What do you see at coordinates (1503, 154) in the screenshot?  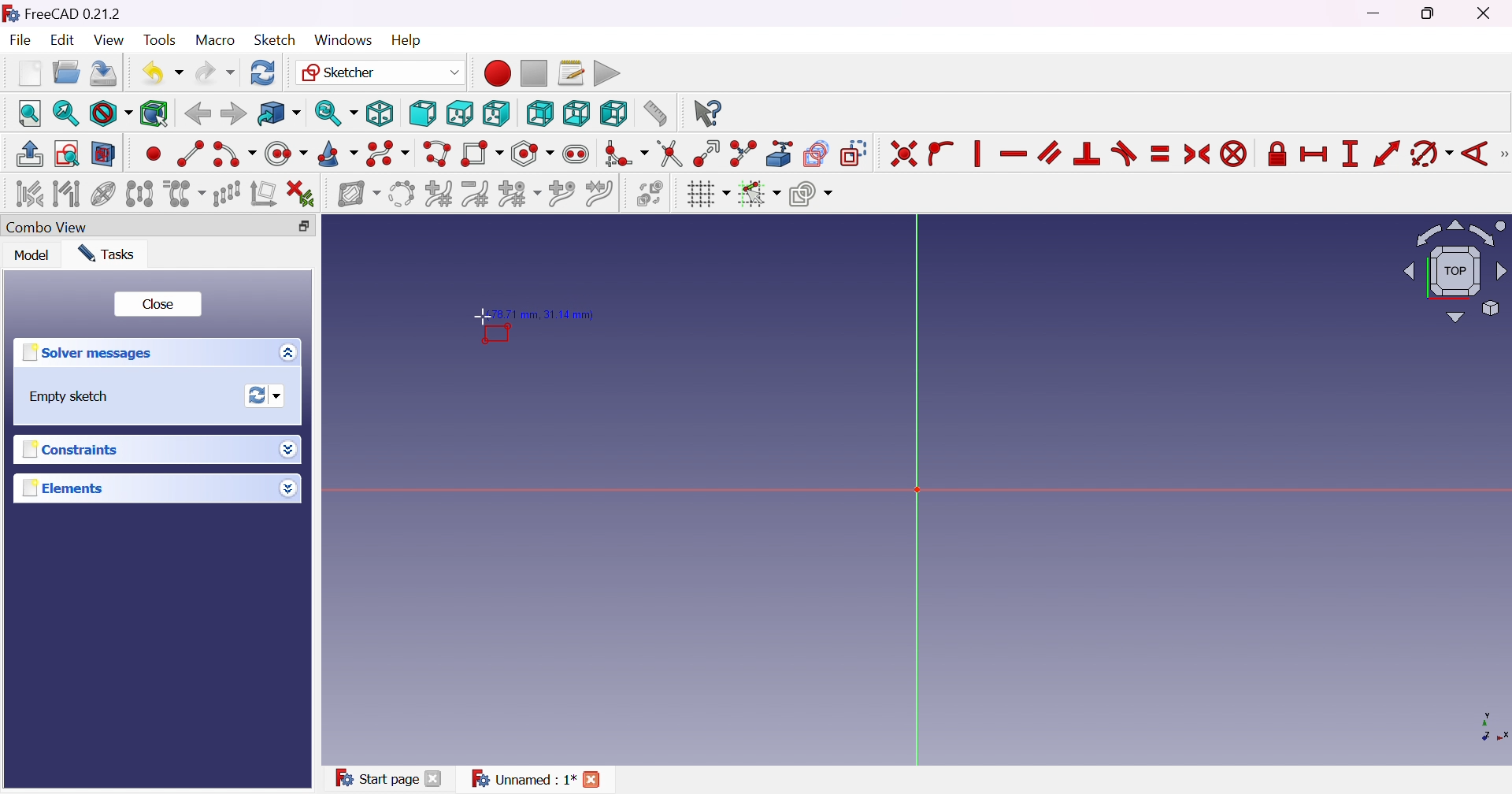 I see `[Sketcher constraints]` at bounding box center [1503, 154].